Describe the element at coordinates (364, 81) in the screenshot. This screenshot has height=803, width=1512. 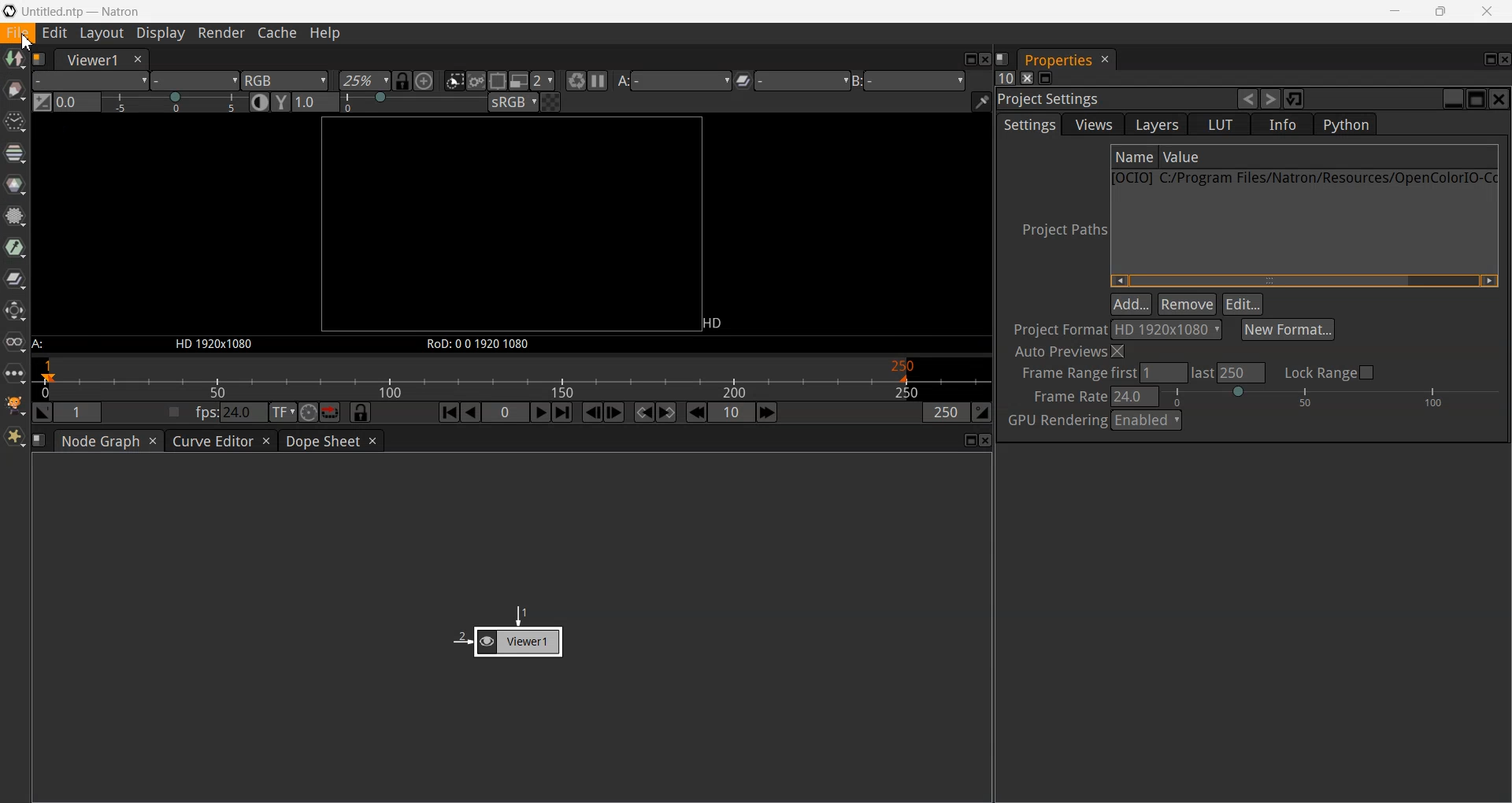
I see `Zoom percentage` at that location.